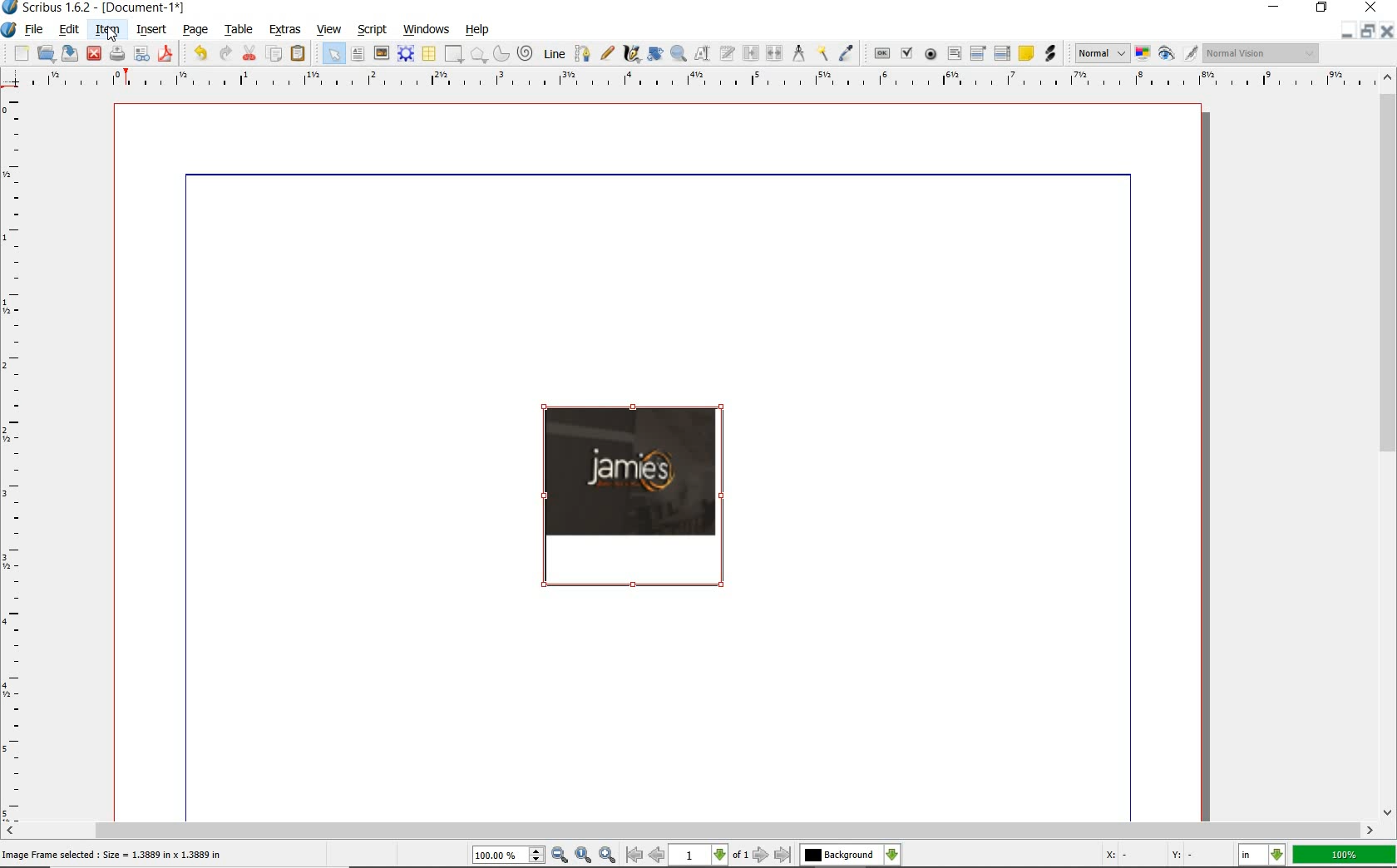 The height and width of the screenshot is (868, 1397). What do you see at coordinates (113, 854) in the screenshot?
I see `Image Frame selected: Size = 1.3889 in x 1.3889 in` at bounding box center [113, 854].